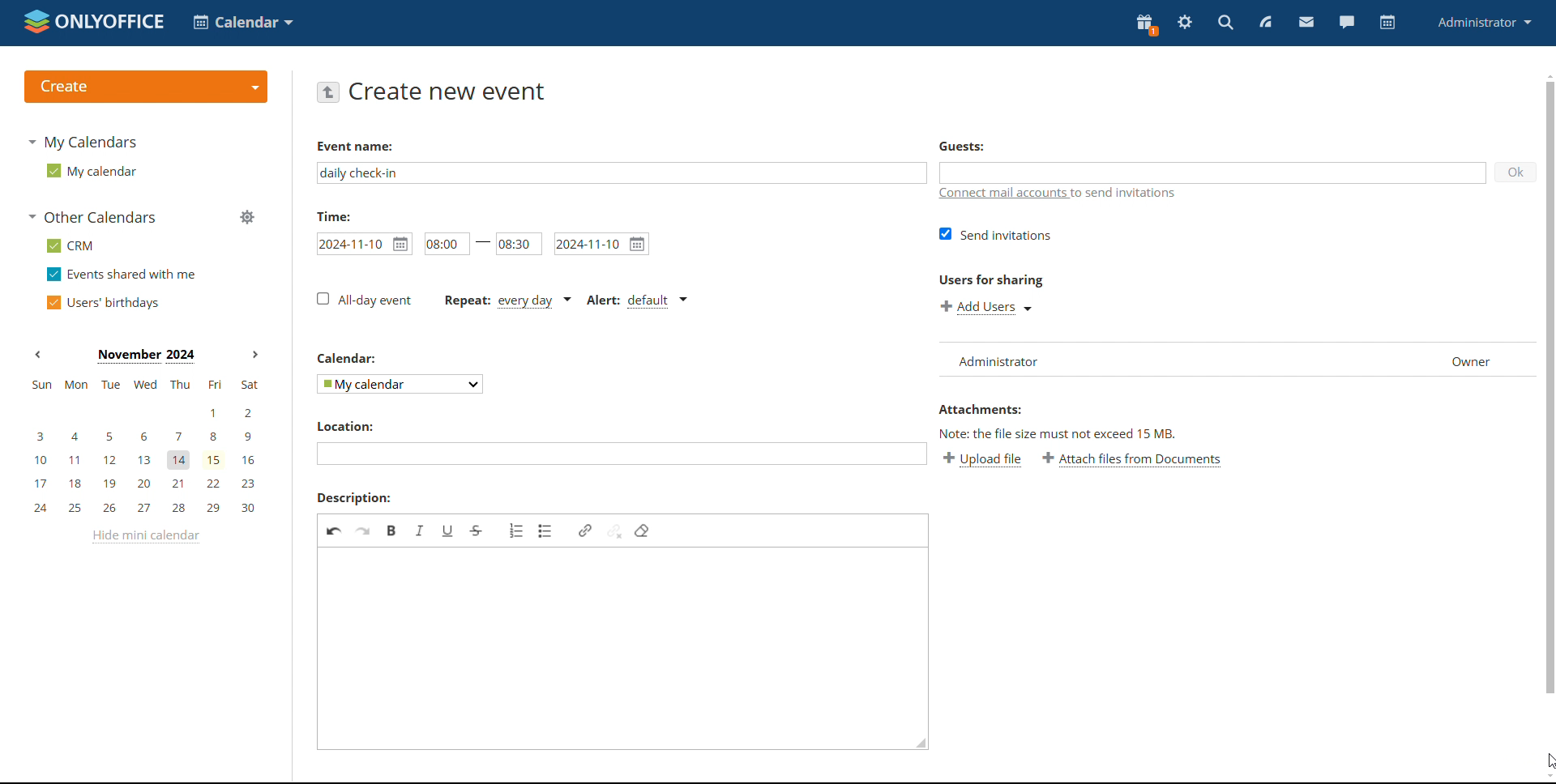 The image size is (1556, 784). Describe the element at coordinates (398, 385) in the screenshot. I see `select calendar` at that location.